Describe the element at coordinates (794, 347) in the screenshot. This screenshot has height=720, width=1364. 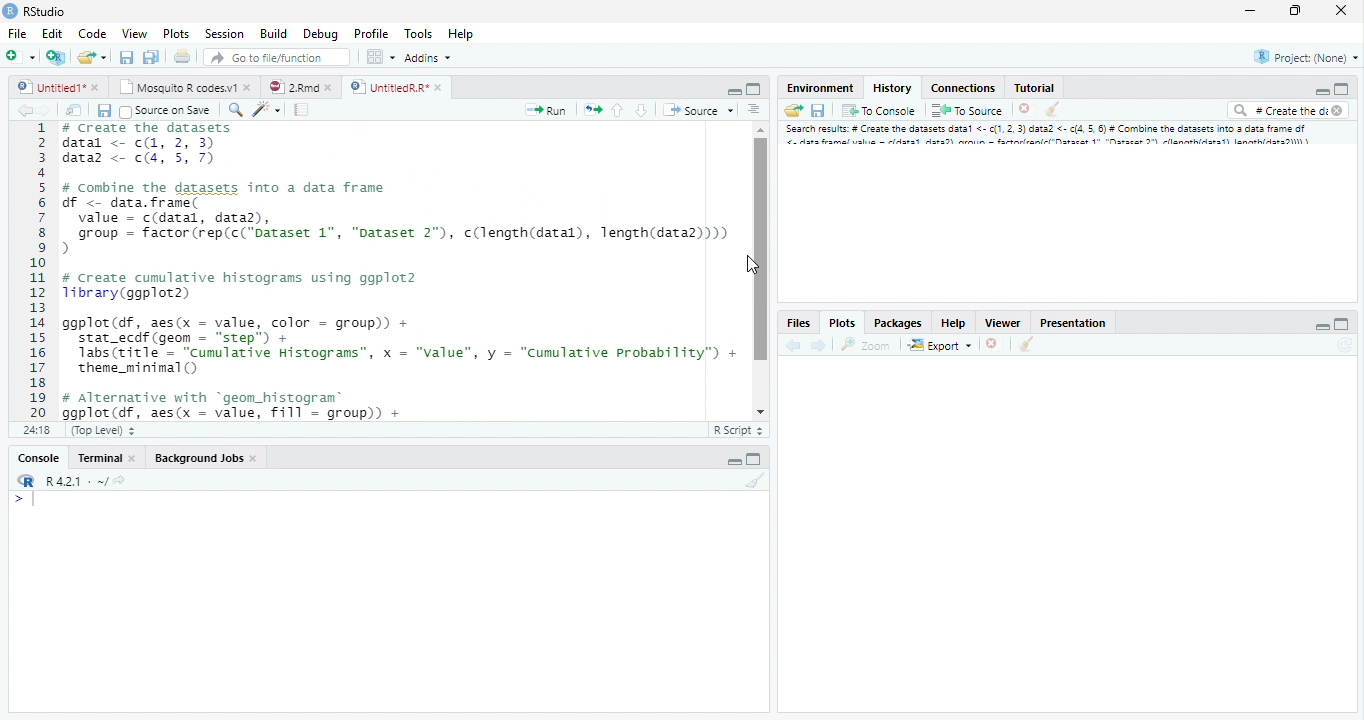
I see `back` at that location.